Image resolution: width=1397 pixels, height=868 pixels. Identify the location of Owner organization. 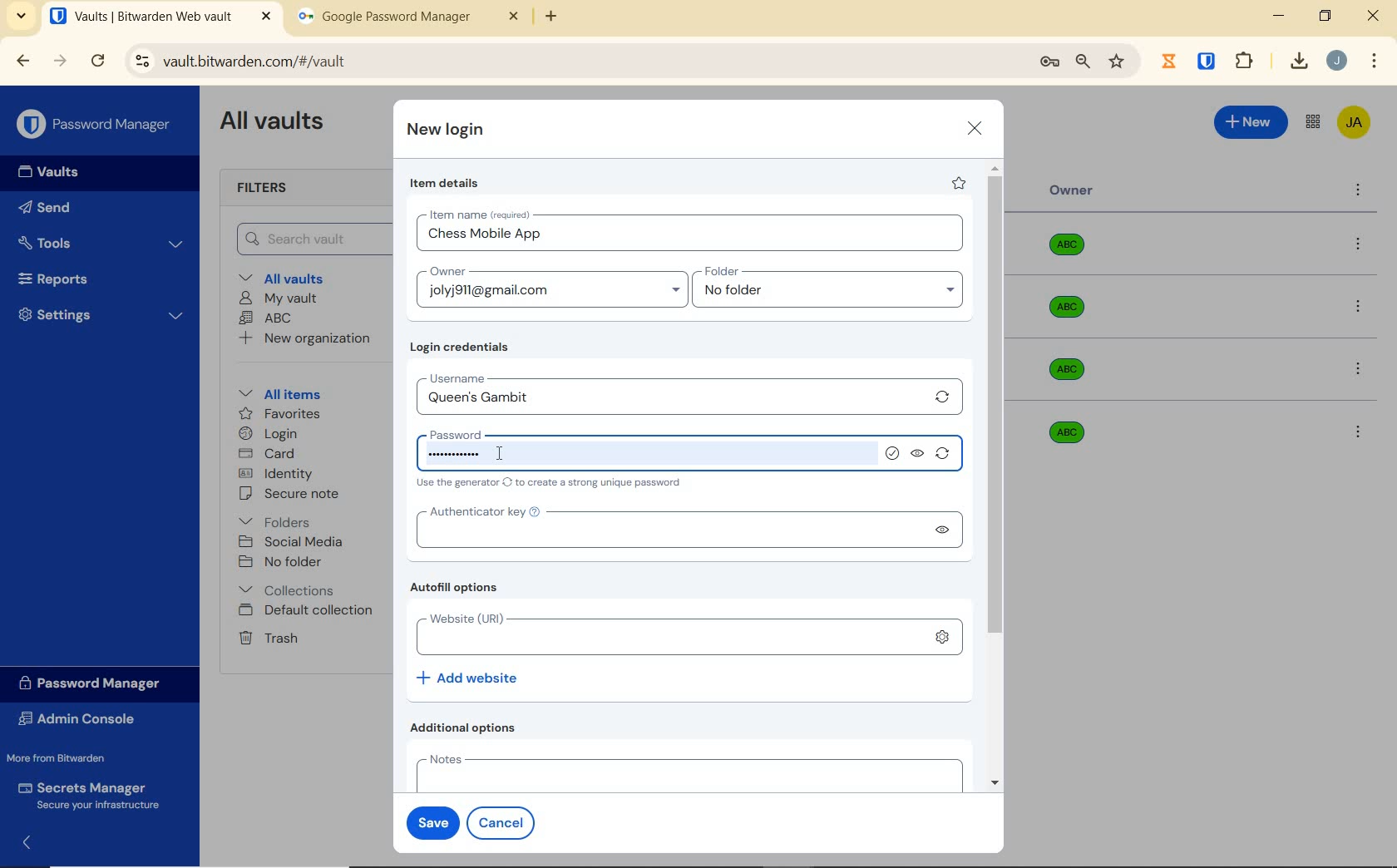
(1063, 431).